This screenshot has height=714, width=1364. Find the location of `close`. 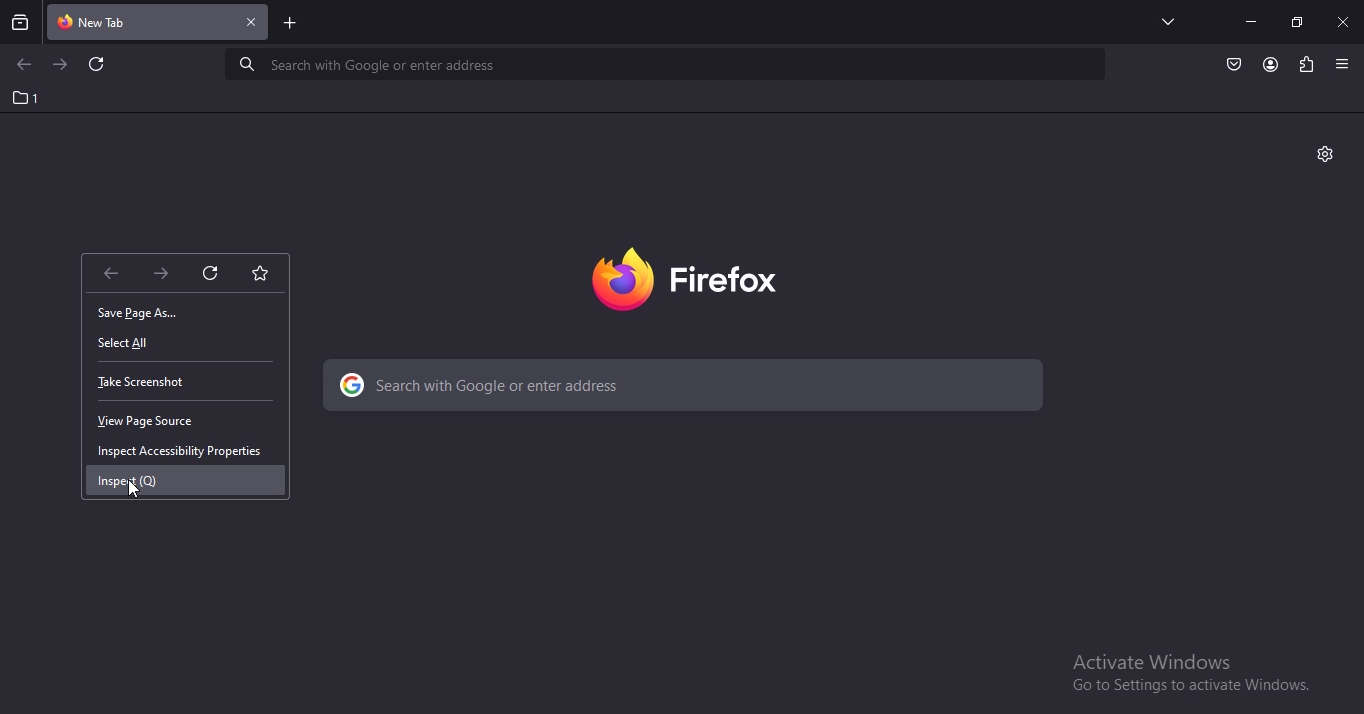

close is located at coordinates (1344, 21).